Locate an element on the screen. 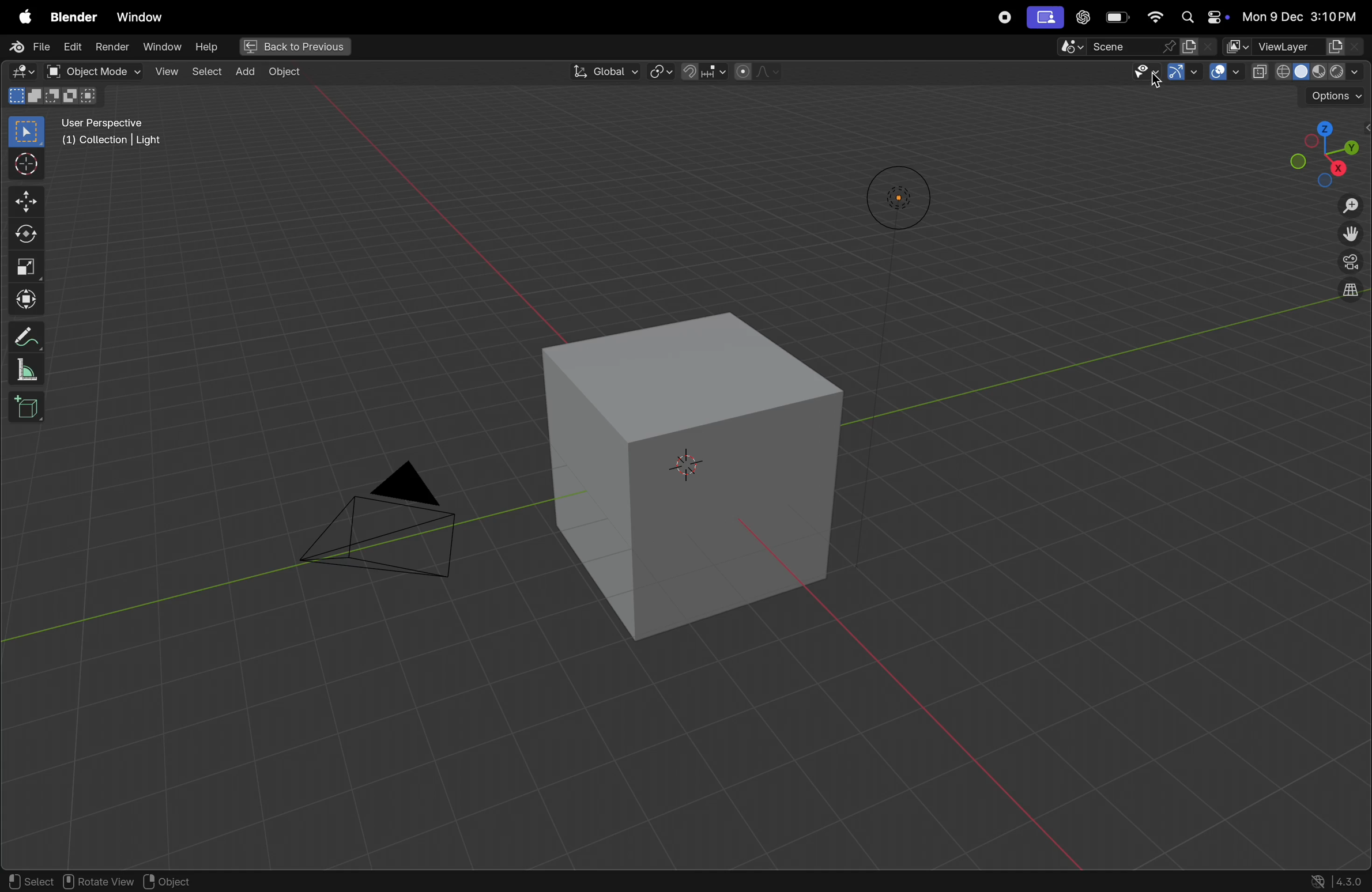 Image resolution: width=1372 pixels, height=892 pixels. view shading is located at coordinates (1308, 72).